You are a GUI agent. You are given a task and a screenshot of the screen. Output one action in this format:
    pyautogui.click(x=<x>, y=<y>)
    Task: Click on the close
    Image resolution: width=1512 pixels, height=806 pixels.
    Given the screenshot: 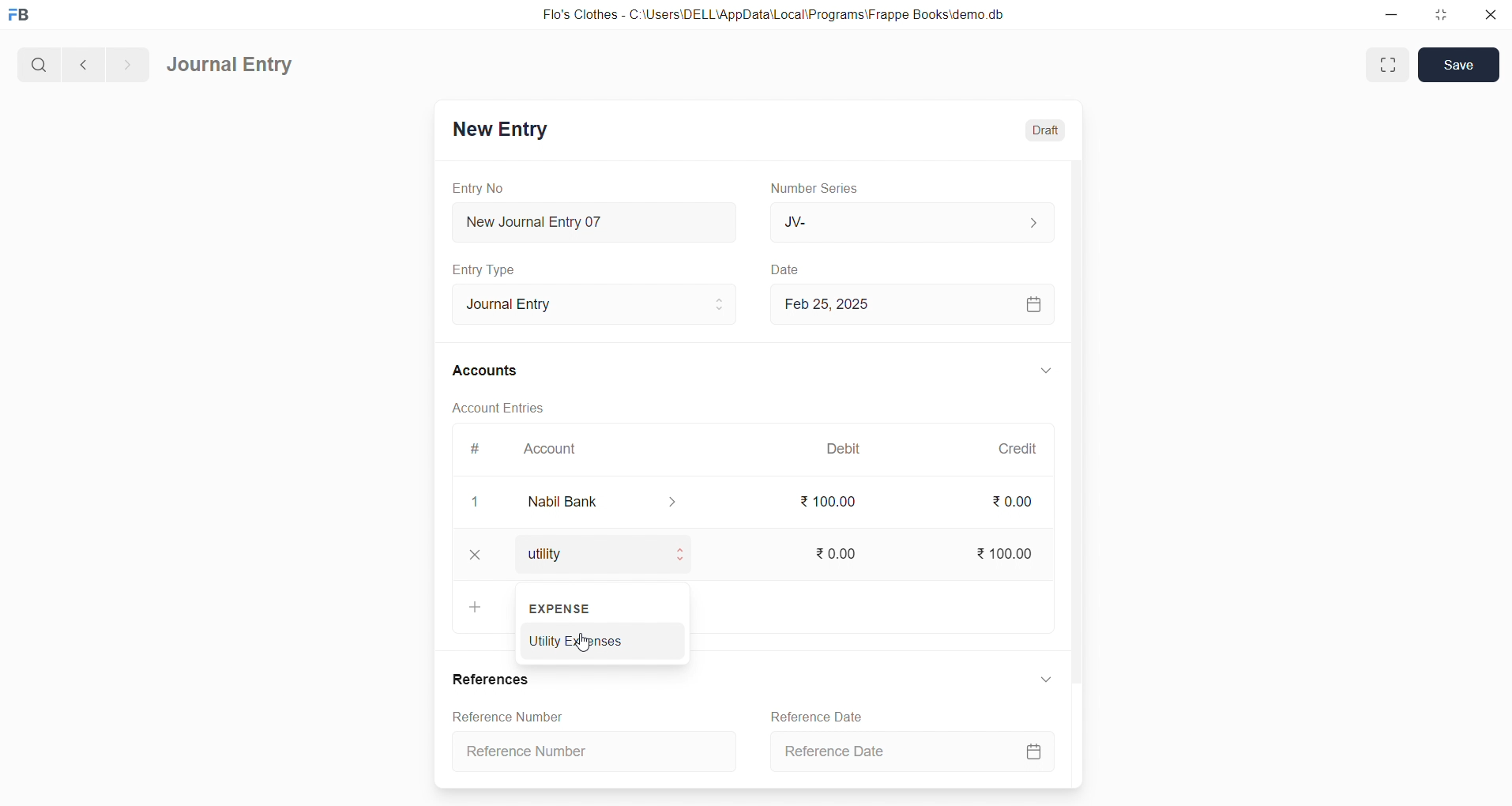 What is the action you would take?
    pyautogui.click(x=1487, y=16)
    